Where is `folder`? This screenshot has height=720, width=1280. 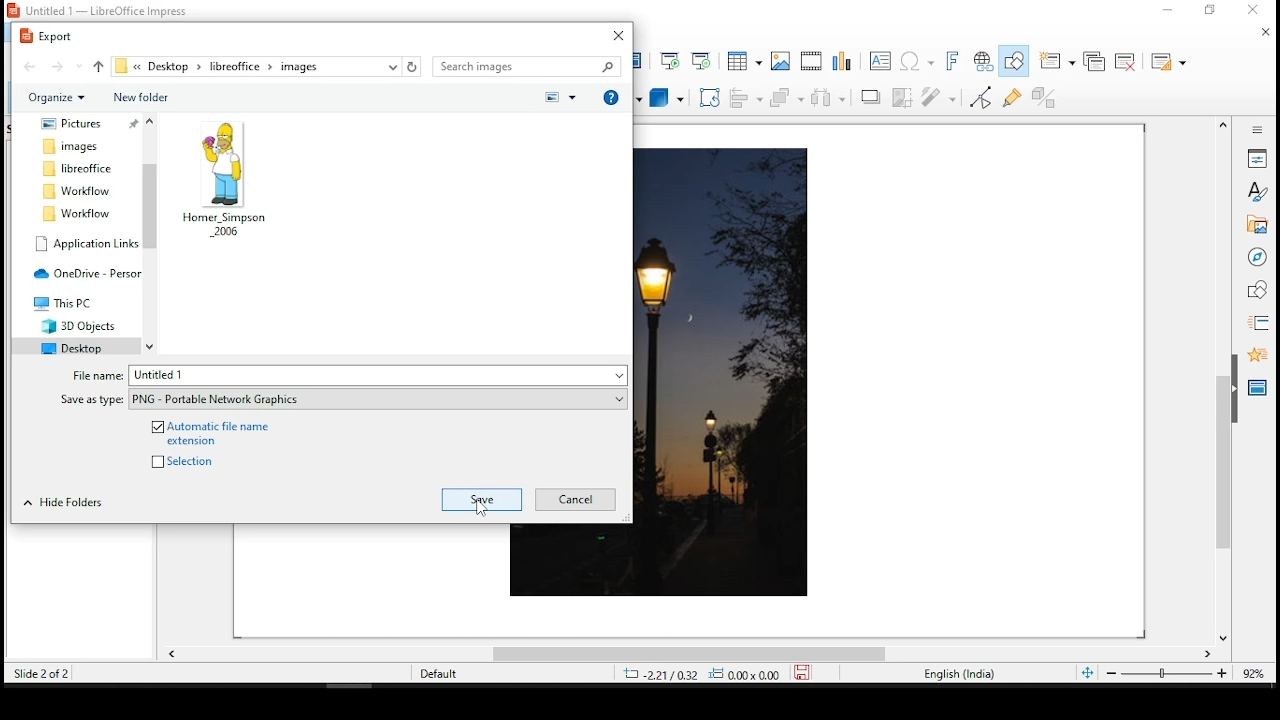
folder is located at coordinates (78, 324).